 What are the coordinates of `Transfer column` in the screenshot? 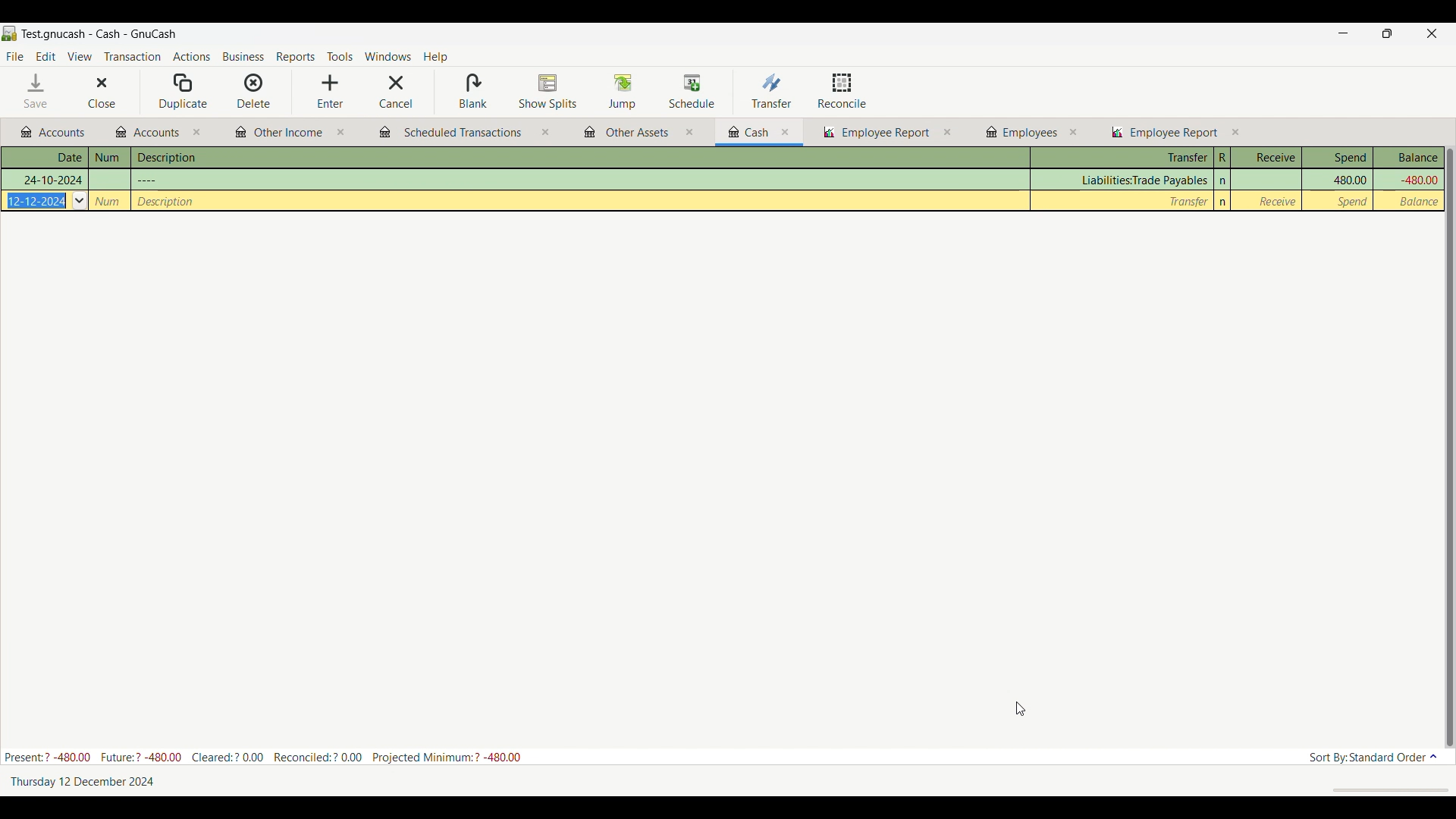 It's located at (1142, 180).